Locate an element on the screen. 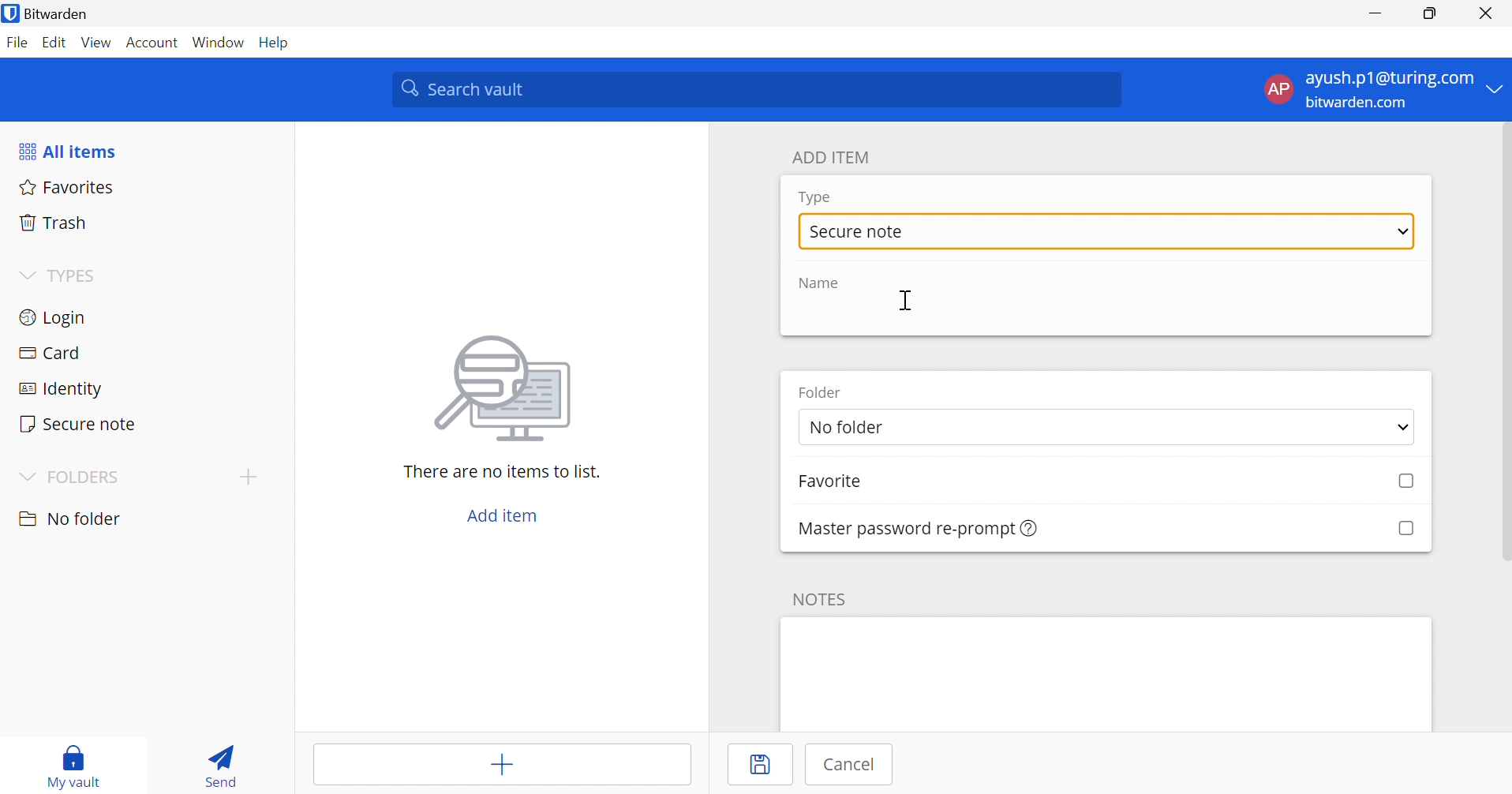 The width and height of the screenshot is (1512, 794). ayush.p1@turing.com is located at coordinates (1389, 79).